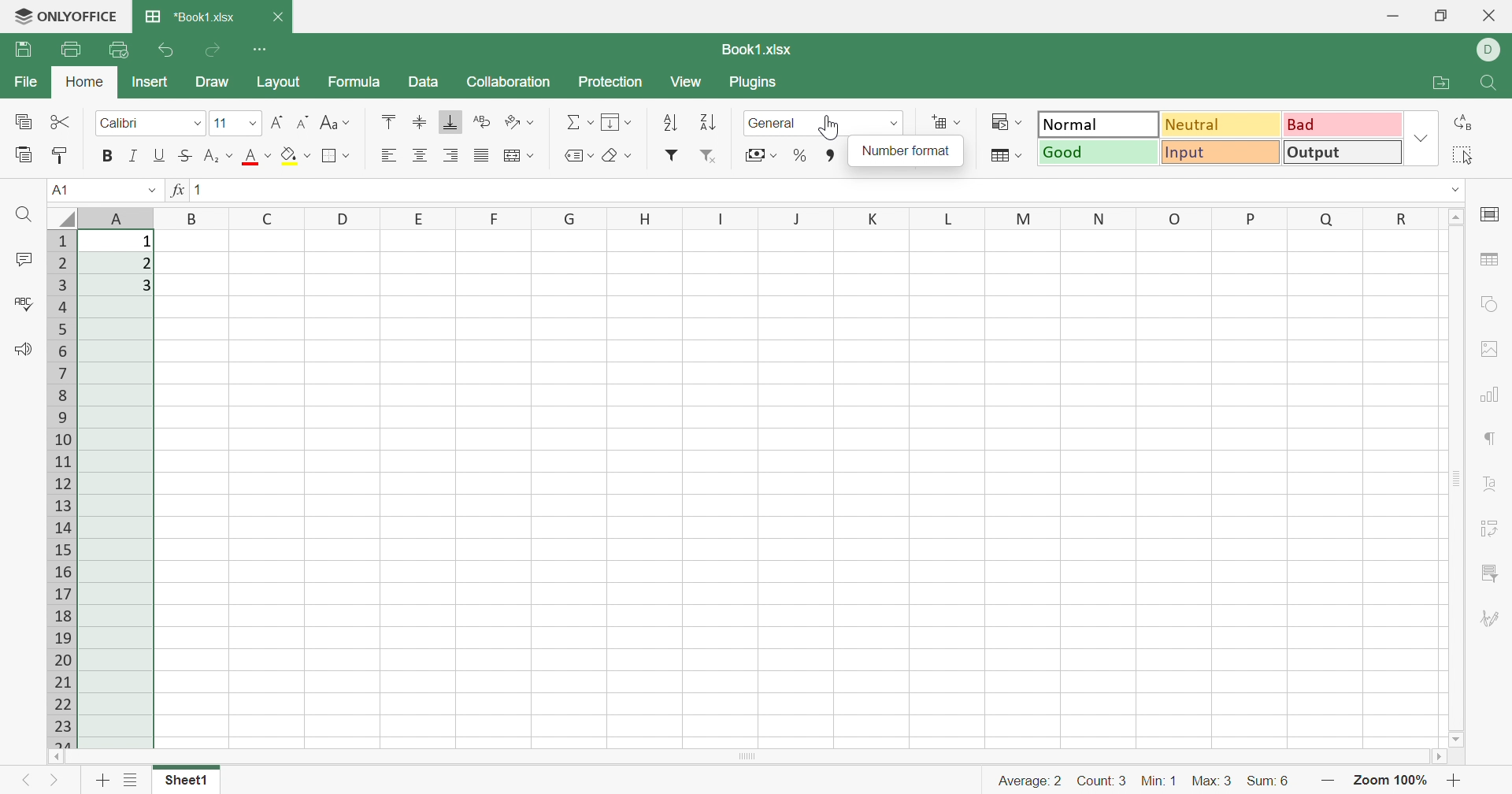 The width and height of the screenshot is (1512, 794). What do you see at coordinates (617, 157) in the screenshot?
I see `Clear` at bounding box center [617, 157].